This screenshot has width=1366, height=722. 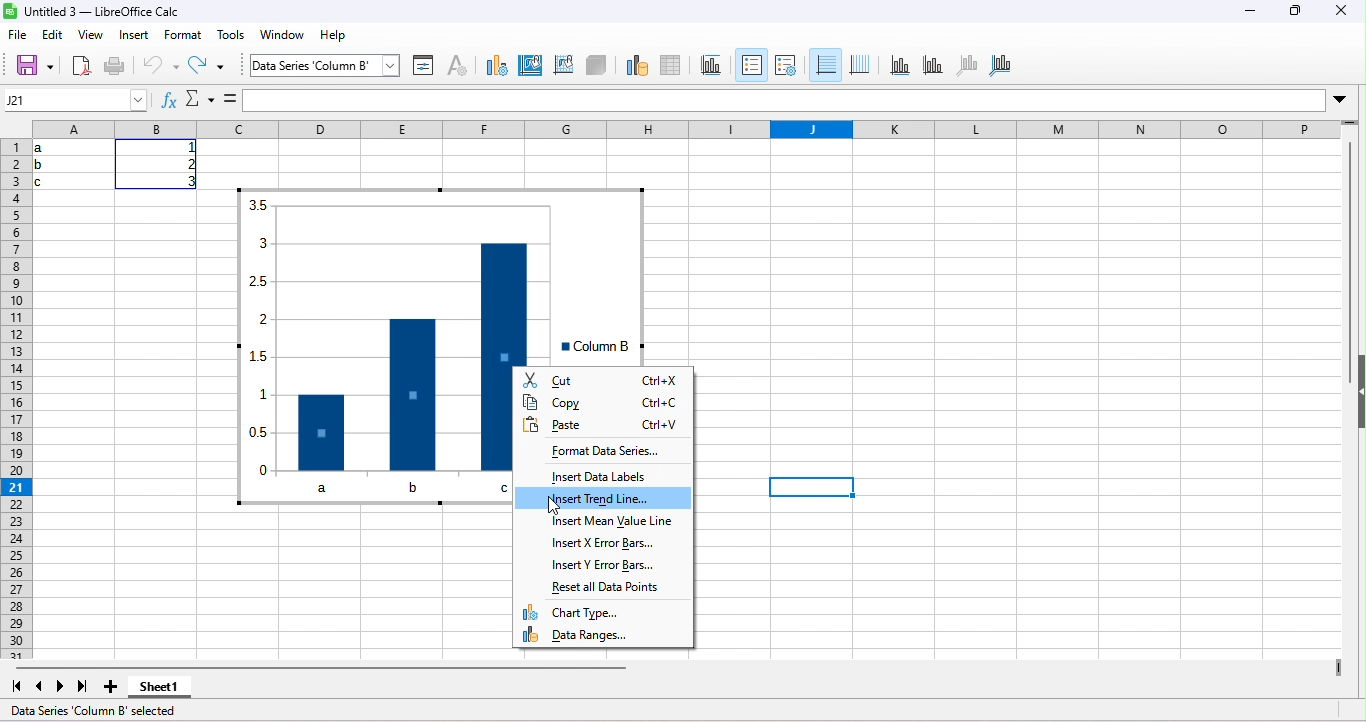 I want to click on cursor movement, so click(x=549, y=505).